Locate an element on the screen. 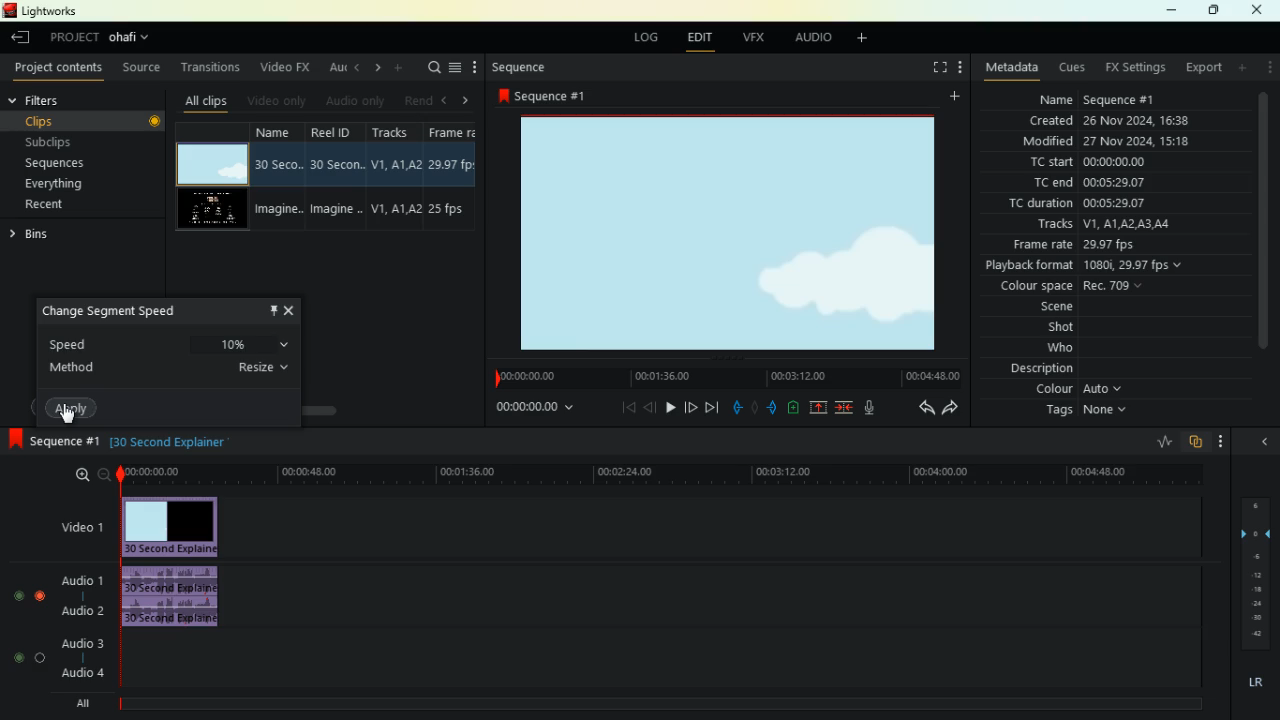  frame rate is located at coordinates (1075, 246).